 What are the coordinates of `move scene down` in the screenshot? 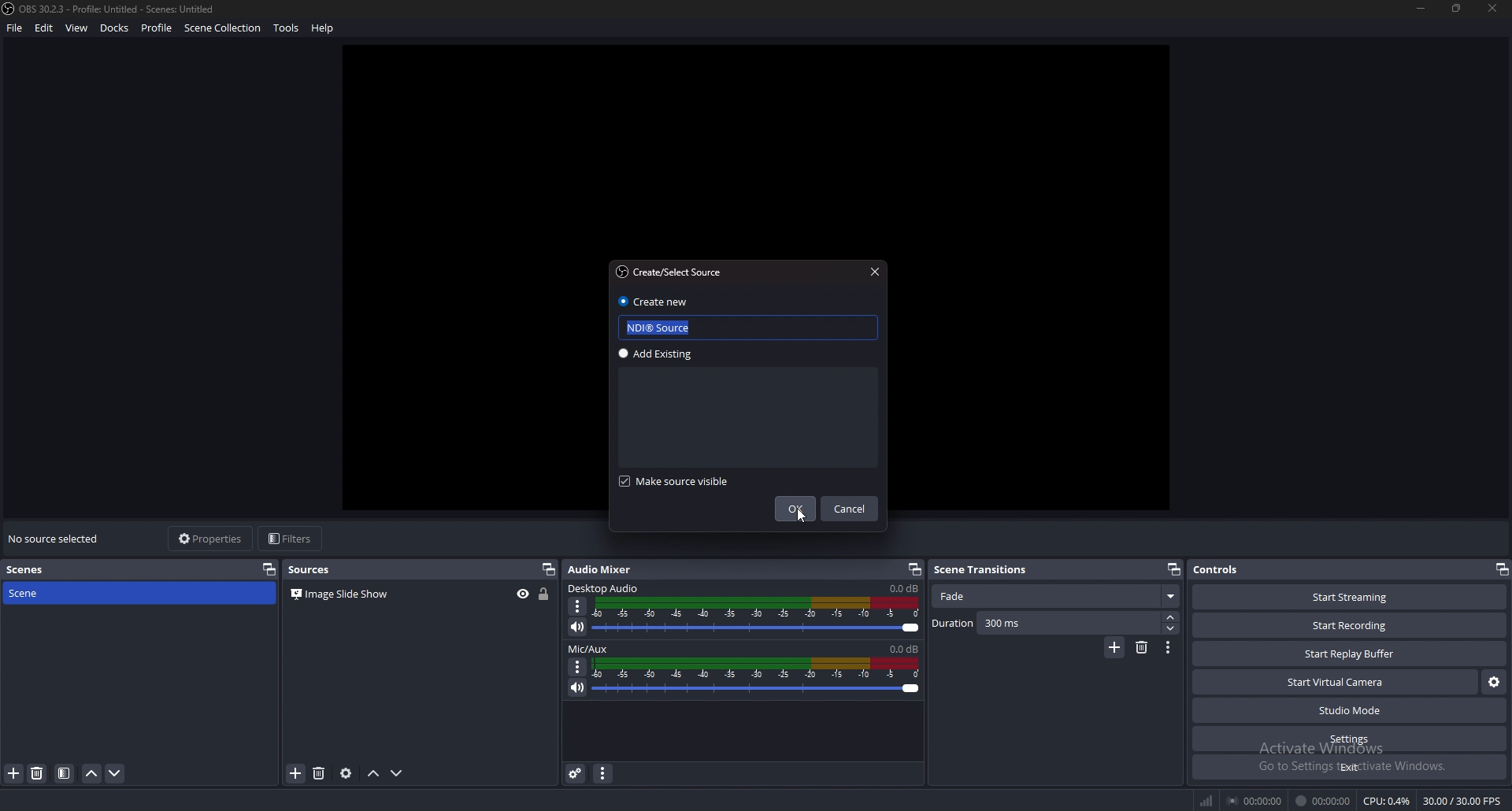 It's located at (114, 773).